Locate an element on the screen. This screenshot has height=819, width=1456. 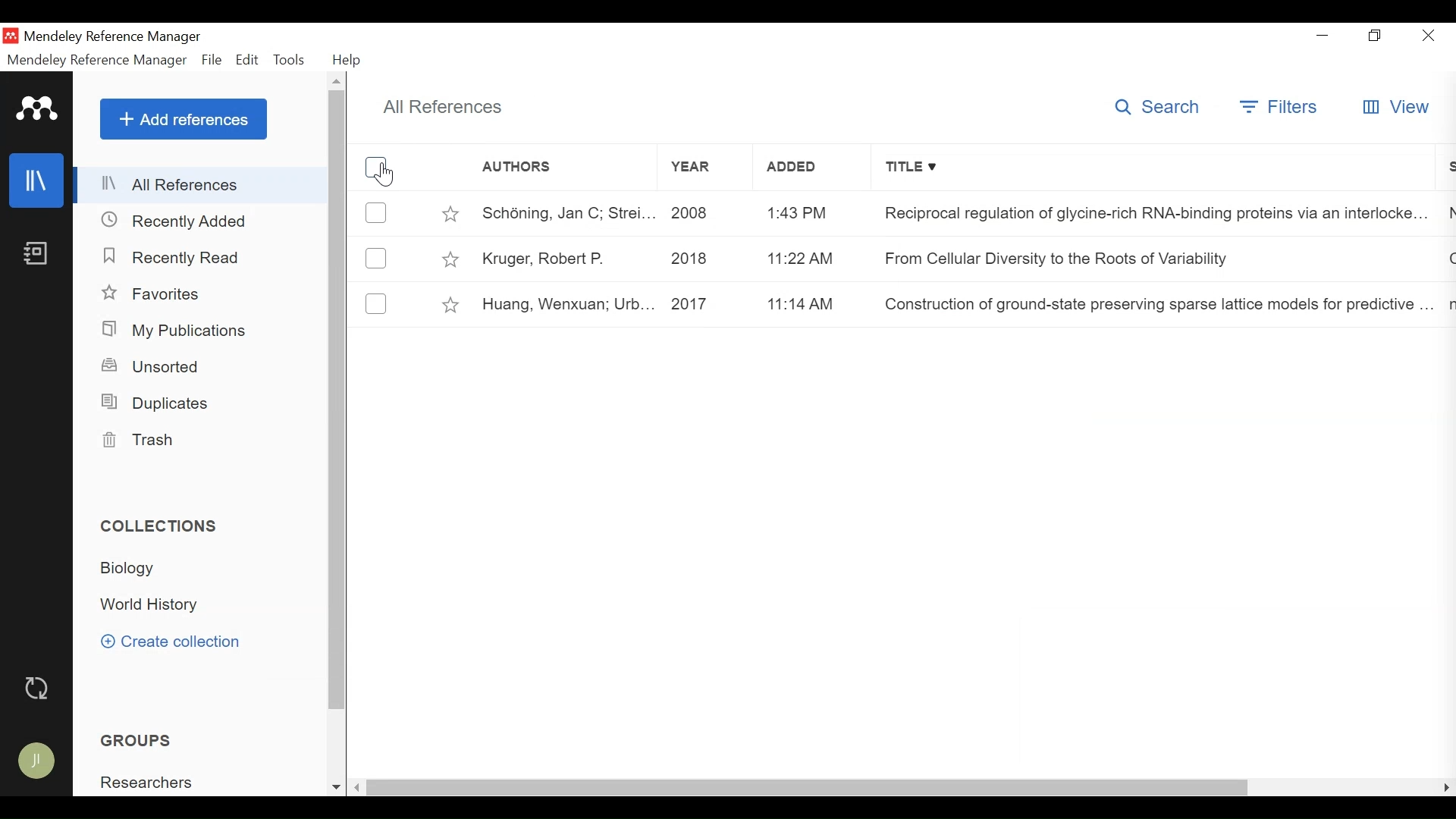
Trash is located at coordinates (139, 441).